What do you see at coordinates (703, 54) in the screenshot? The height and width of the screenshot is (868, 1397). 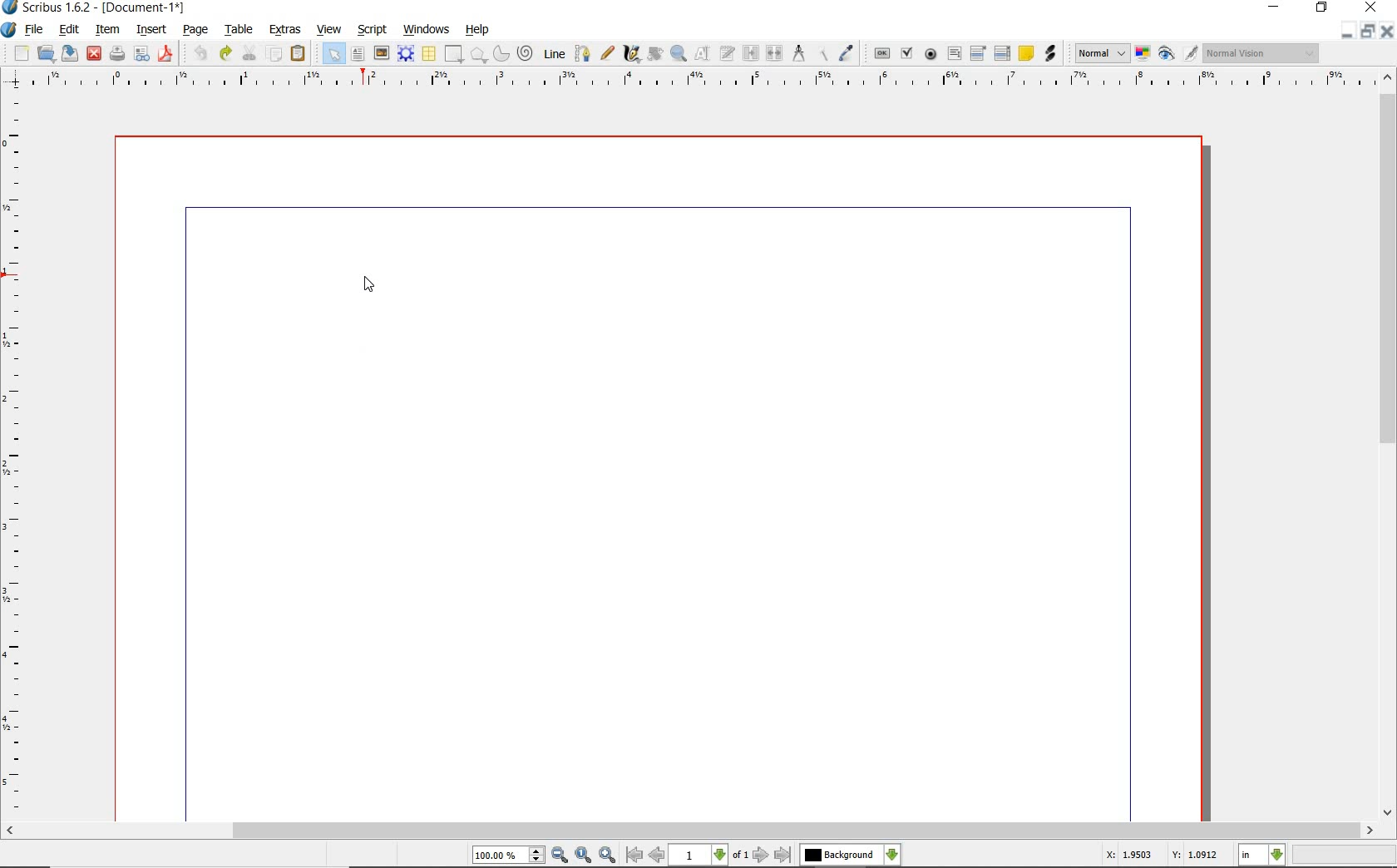 I see `edit contents of frame` at bounding box center [703, 54].